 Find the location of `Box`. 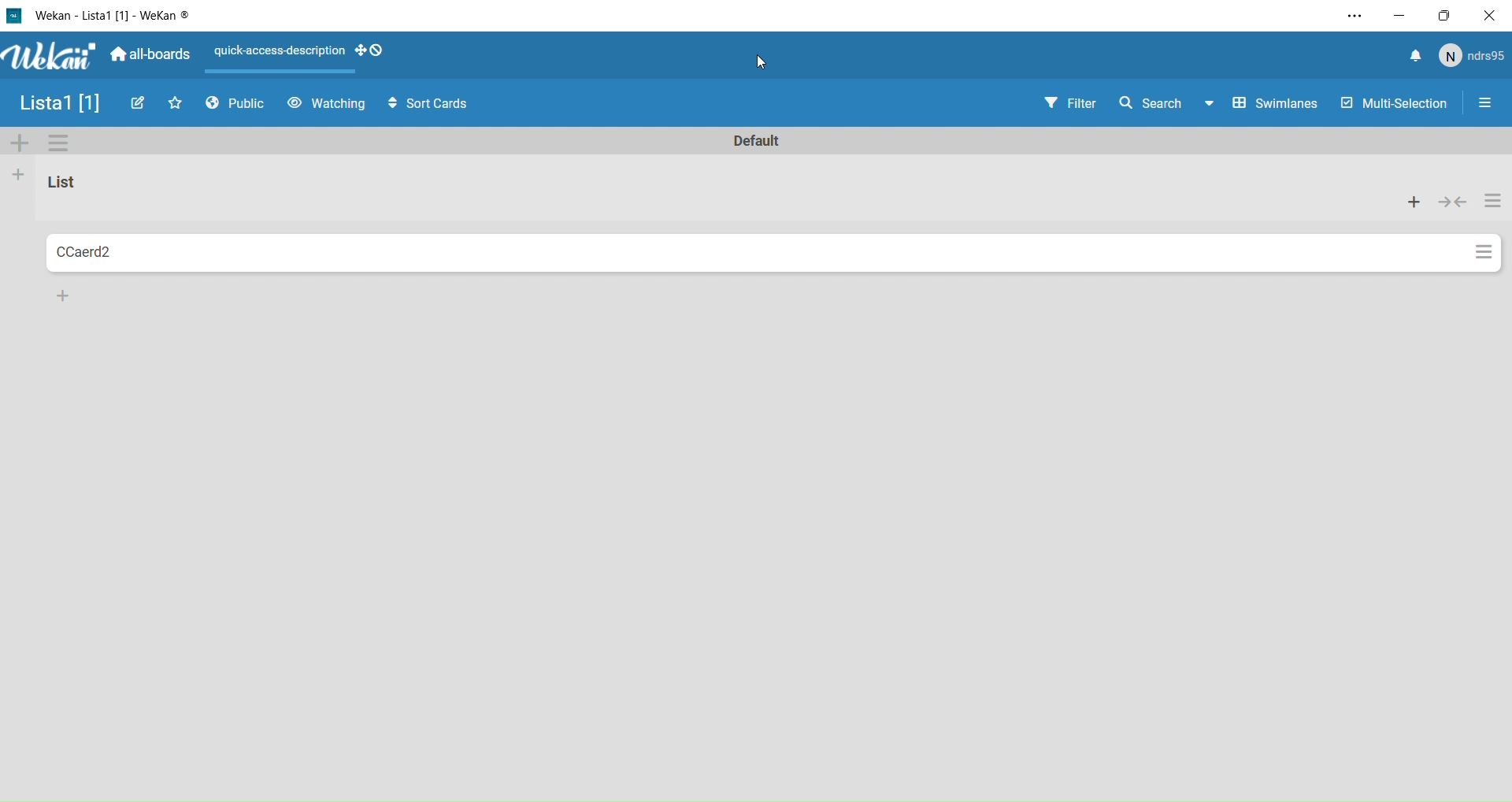

Box is located at coordinates (1443, 17).